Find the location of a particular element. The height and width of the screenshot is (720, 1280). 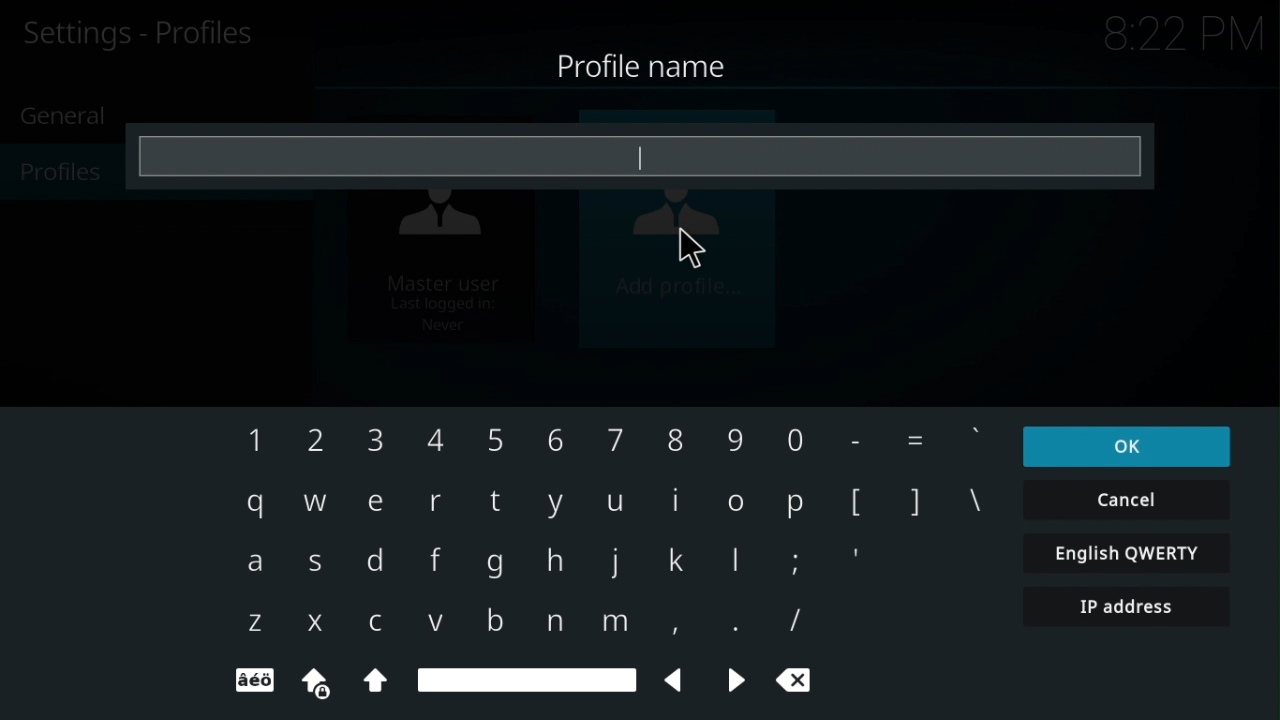

forward is located at coordinates (735, 679).